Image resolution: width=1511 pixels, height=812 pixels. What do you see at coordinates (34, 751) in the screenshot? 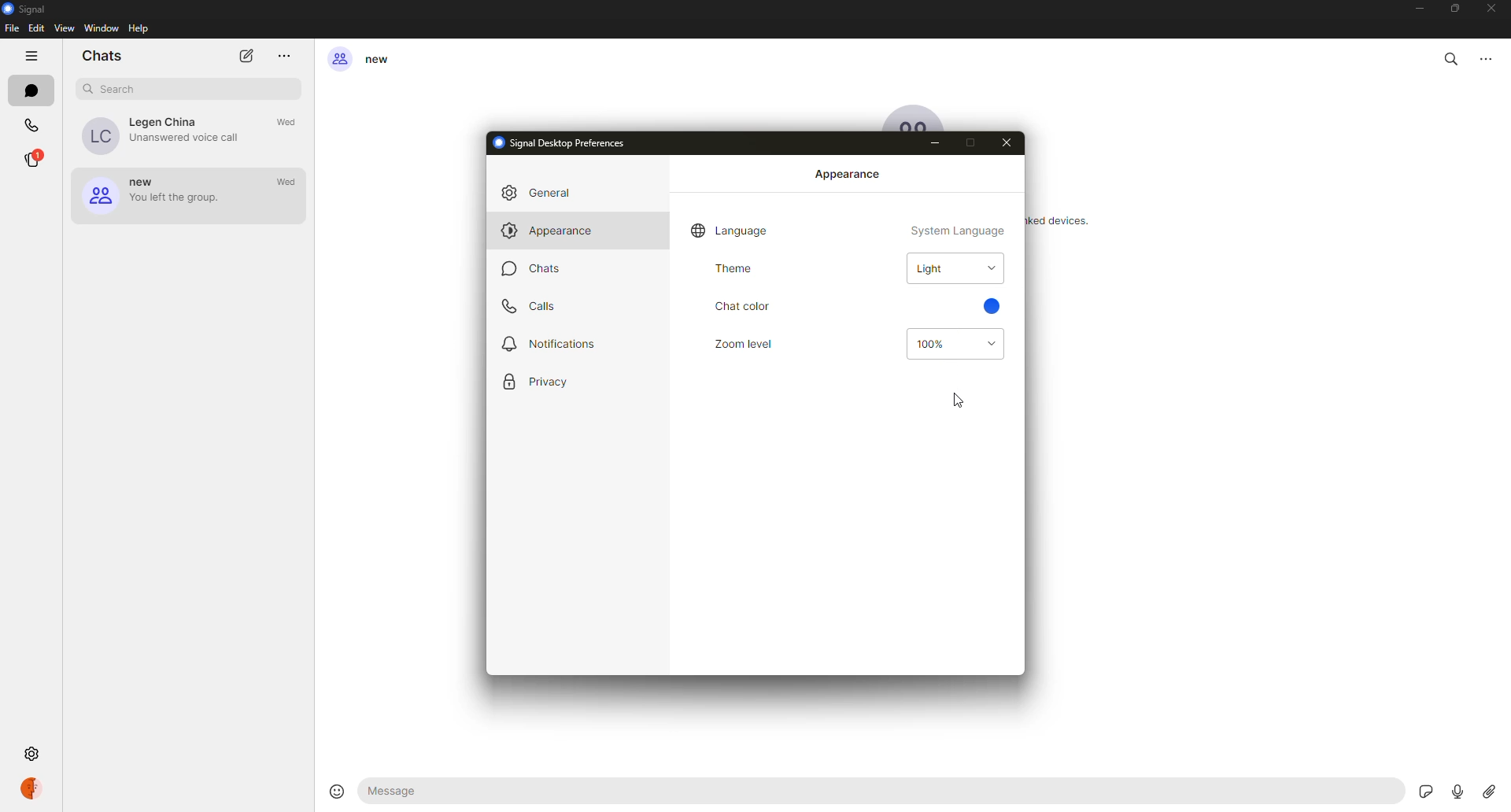
I see `settings` at bounding box center [34, 751].